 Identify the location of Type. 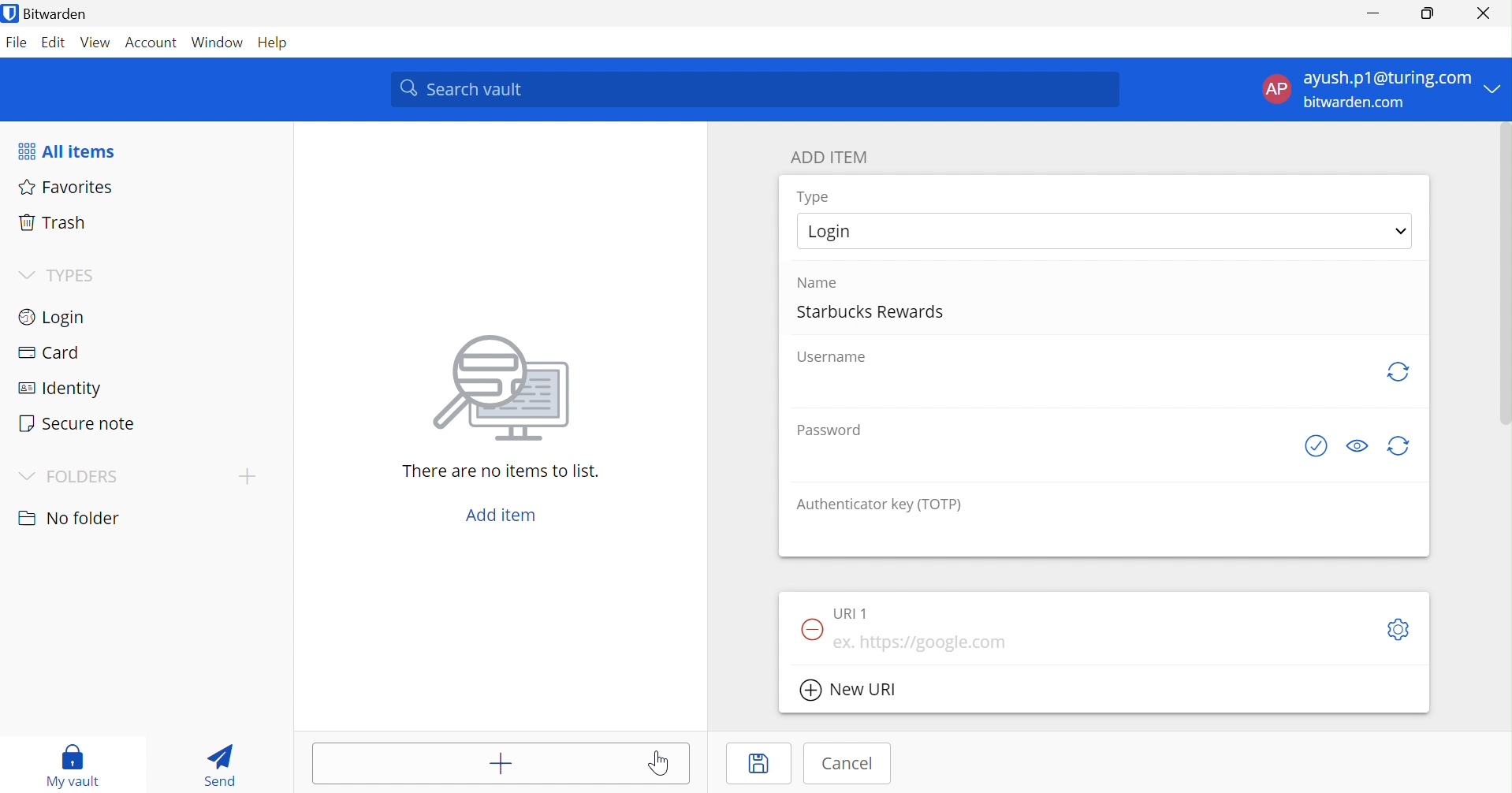
(815, 197).